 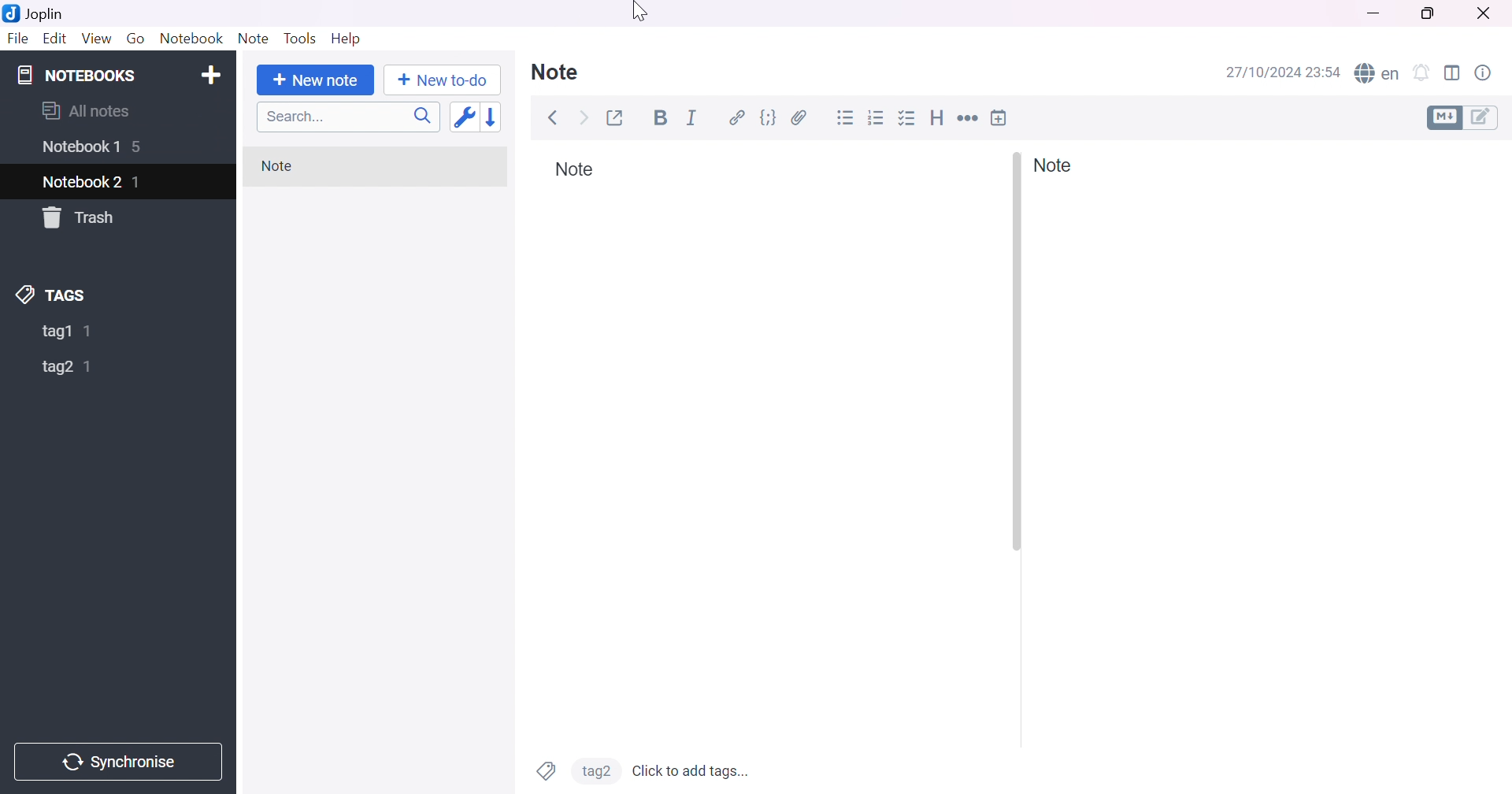 I want to click on Reverse sort order, so click(x=495, y=117).